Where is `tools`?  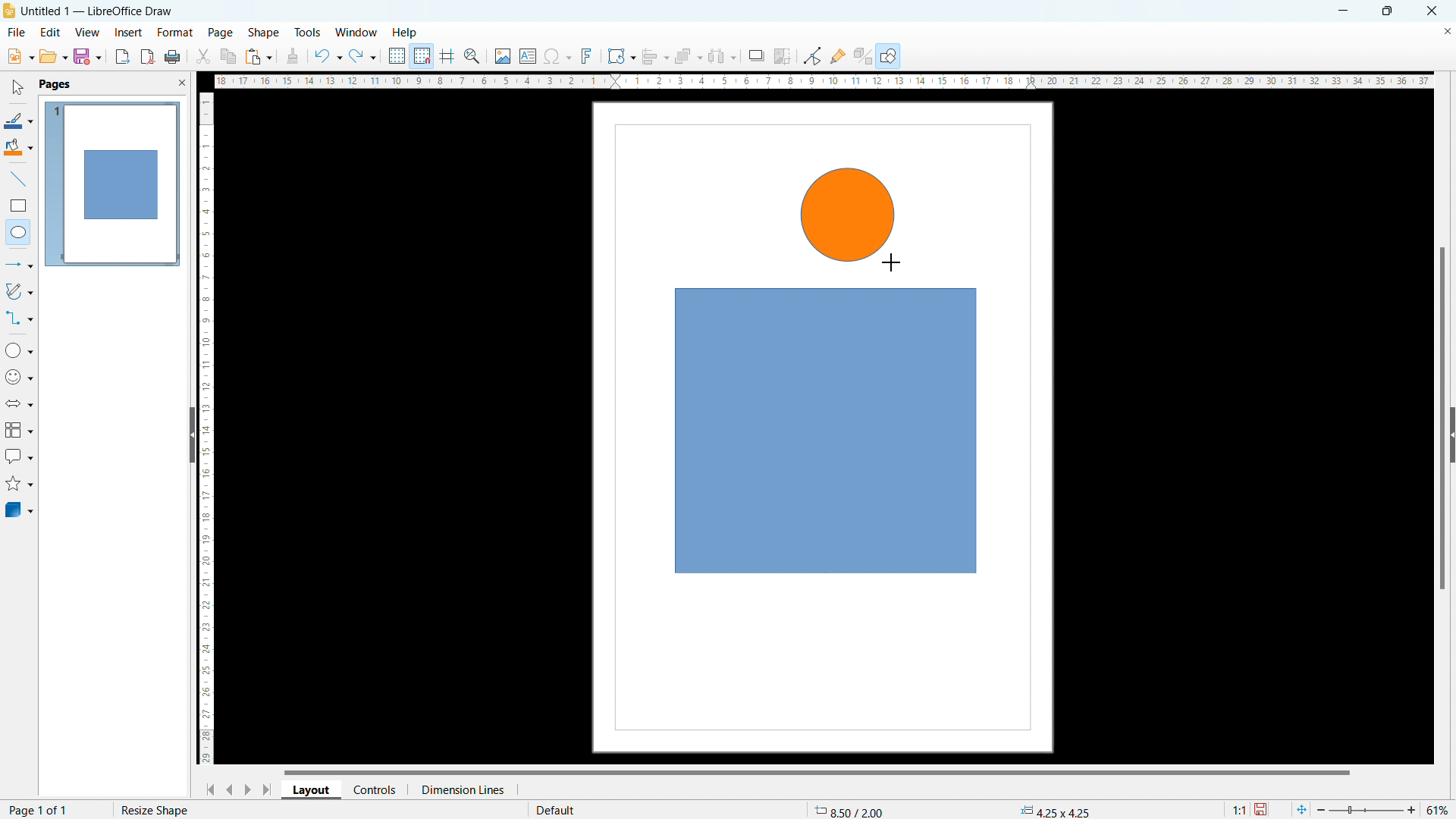 tools is located at coordinates (309, 32).